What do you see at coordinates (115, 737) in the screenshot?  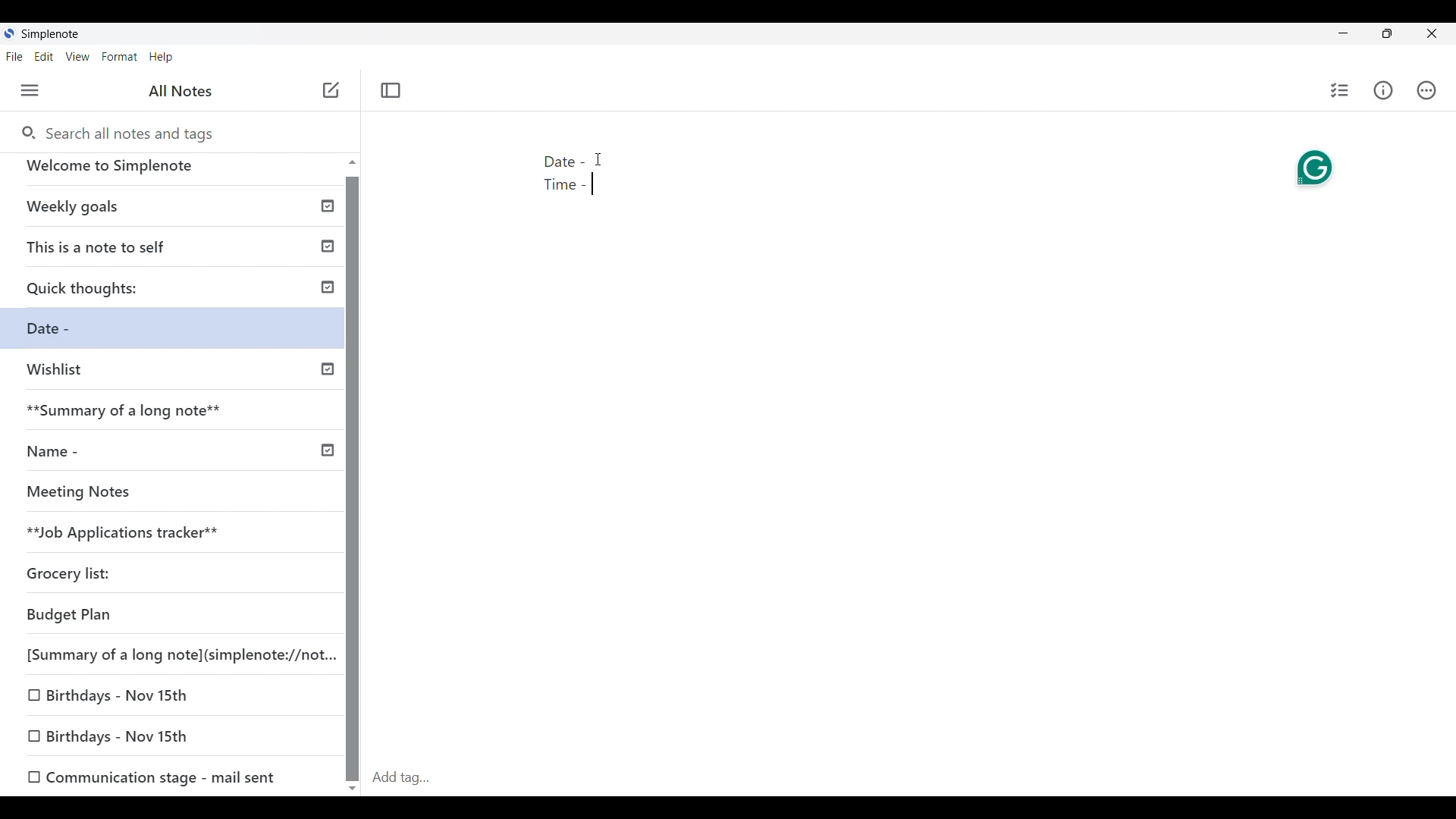 I see `Unpublished note` at bounding box center [115, 737].